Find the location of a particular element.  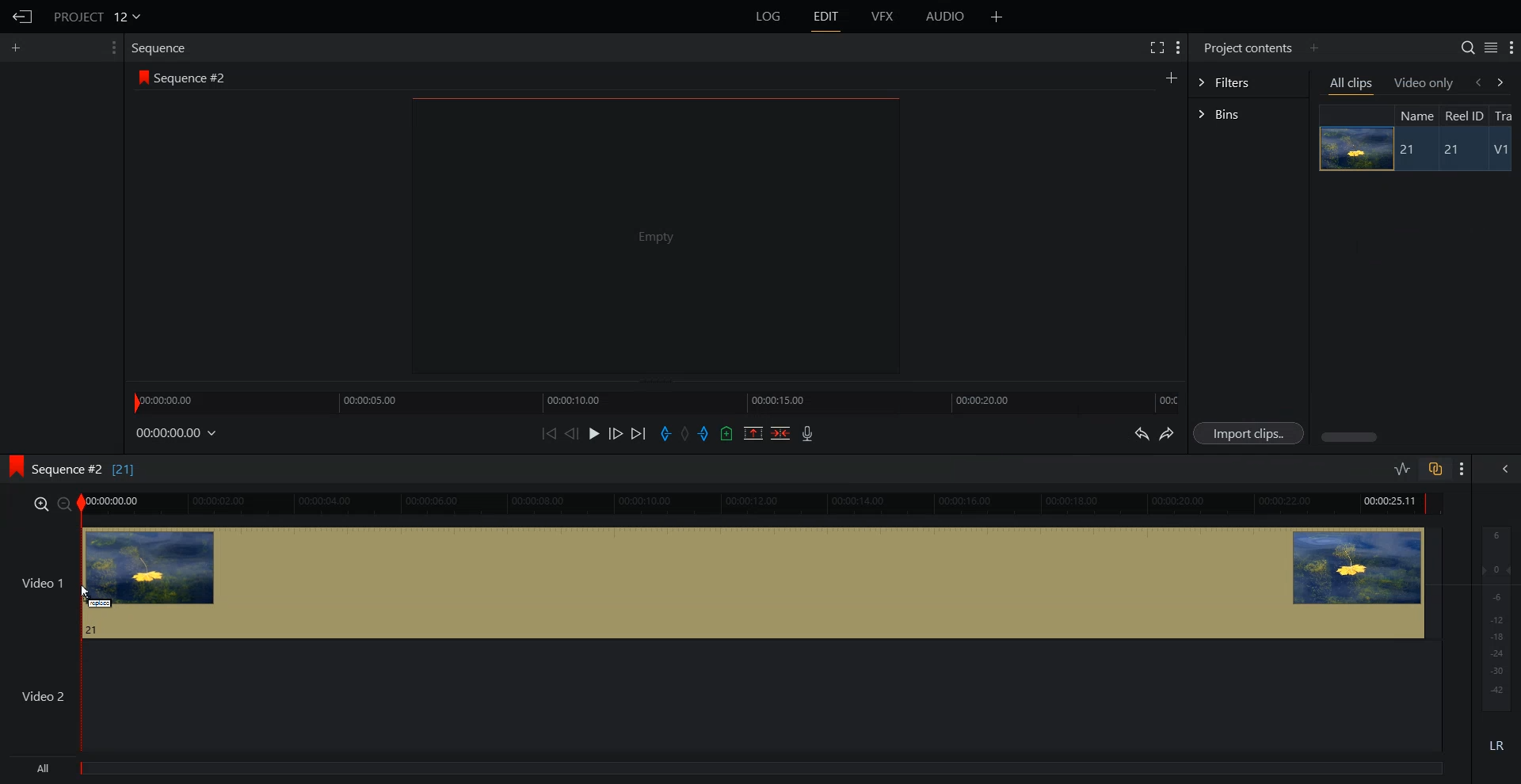

Audio Output Level is located at coordinates (1493, 615).